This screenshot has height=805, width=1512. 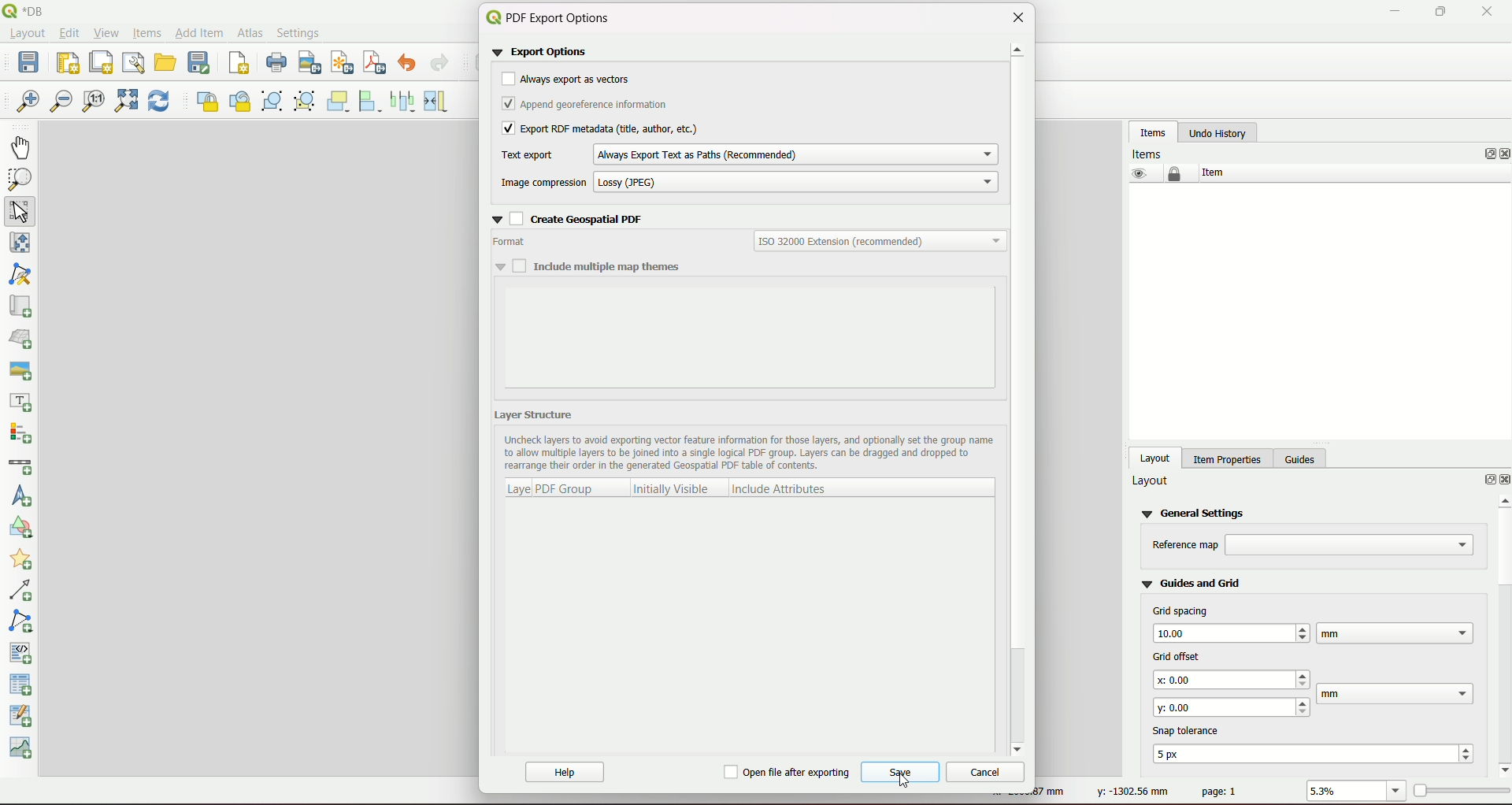 I want to click on resize item width, so click(x=439, y=101).